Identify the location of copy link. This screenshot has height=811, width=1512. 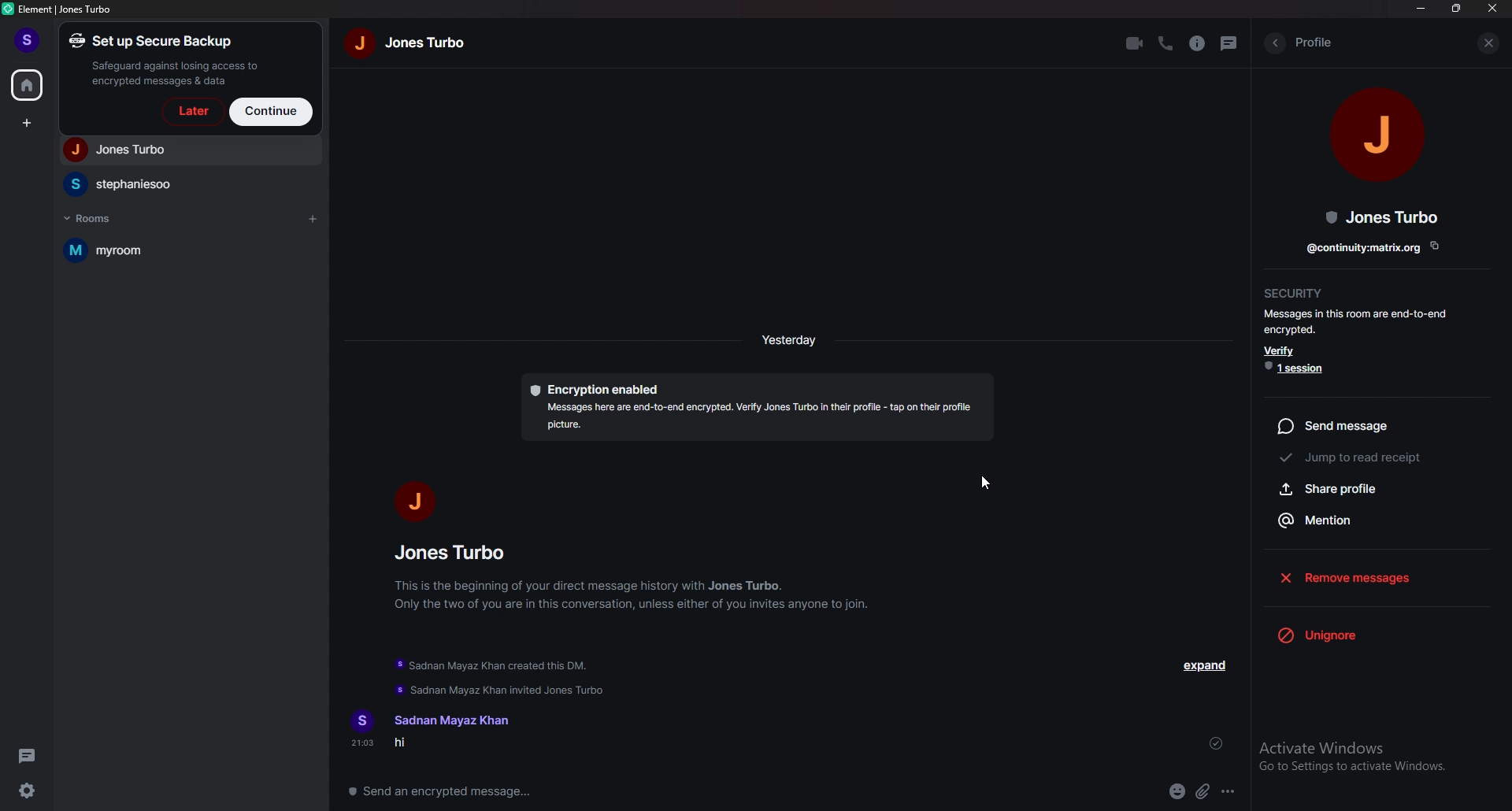
(1374, 246).